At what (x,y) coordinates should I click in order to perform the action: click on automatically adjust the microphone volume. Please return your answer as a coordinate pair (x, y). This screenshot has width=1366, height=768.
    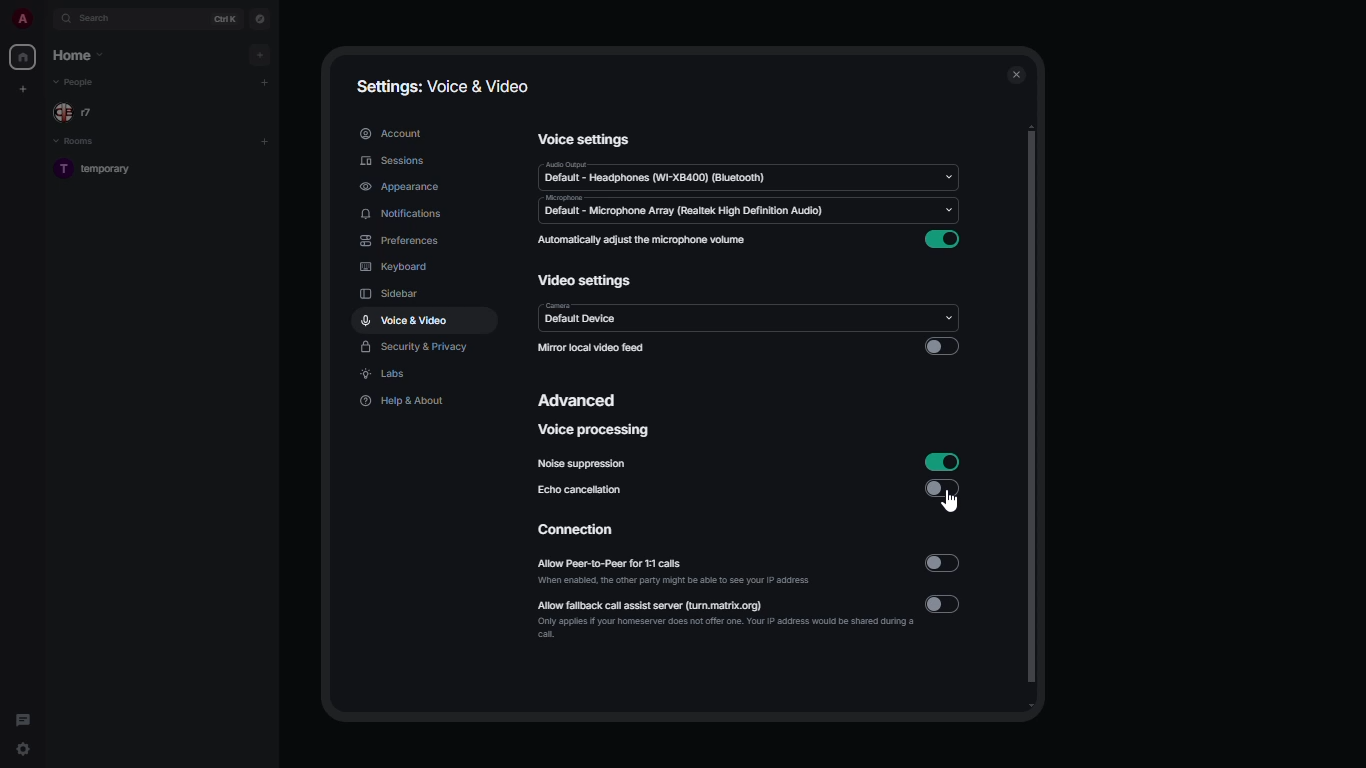
    Looking at the image, I should click on (640, 239).